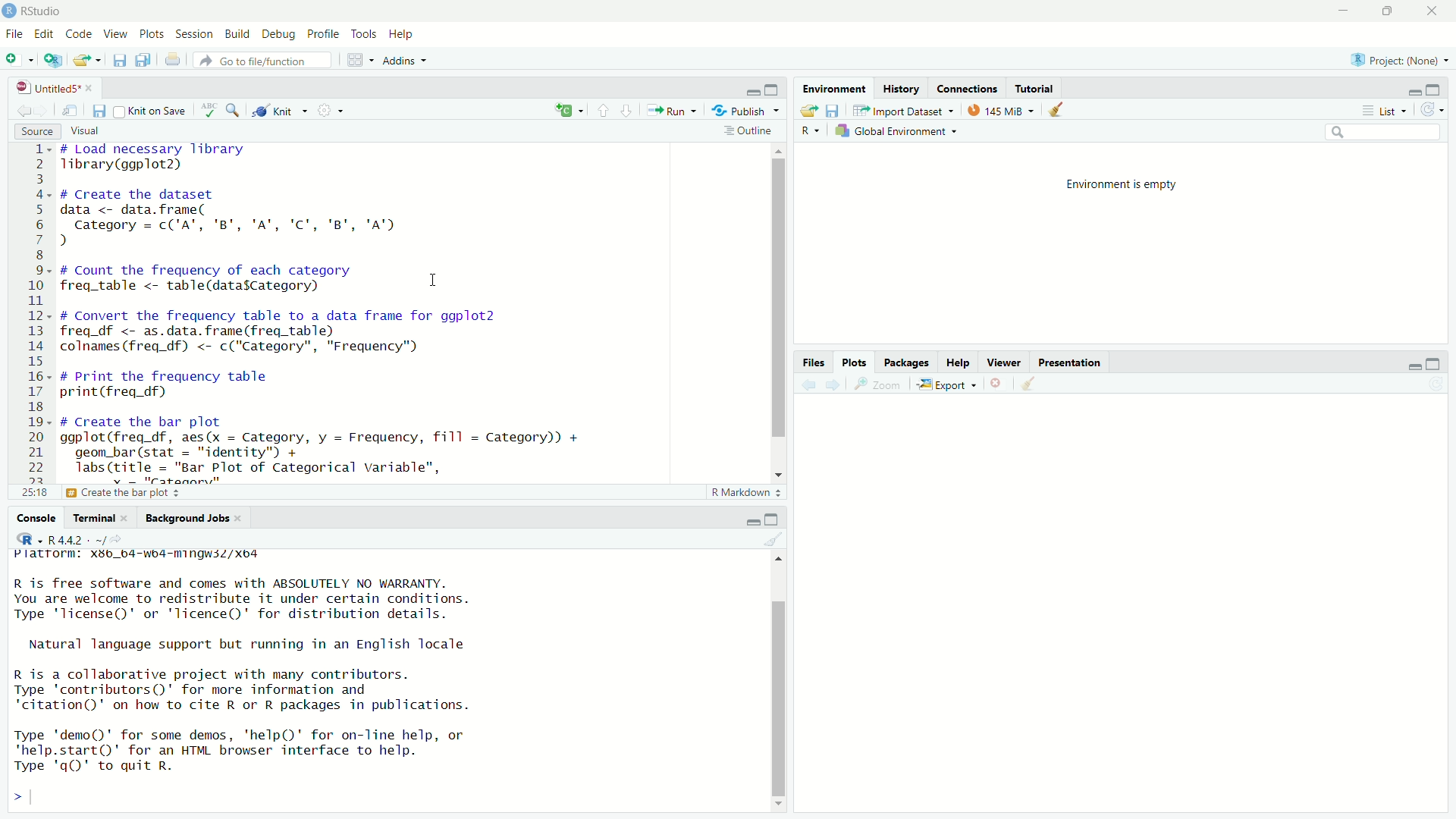 This screenshot has height=819, width=1456. Describe the element at coordinates (670, 109) in the screenshot. I see `run current file` at that location.